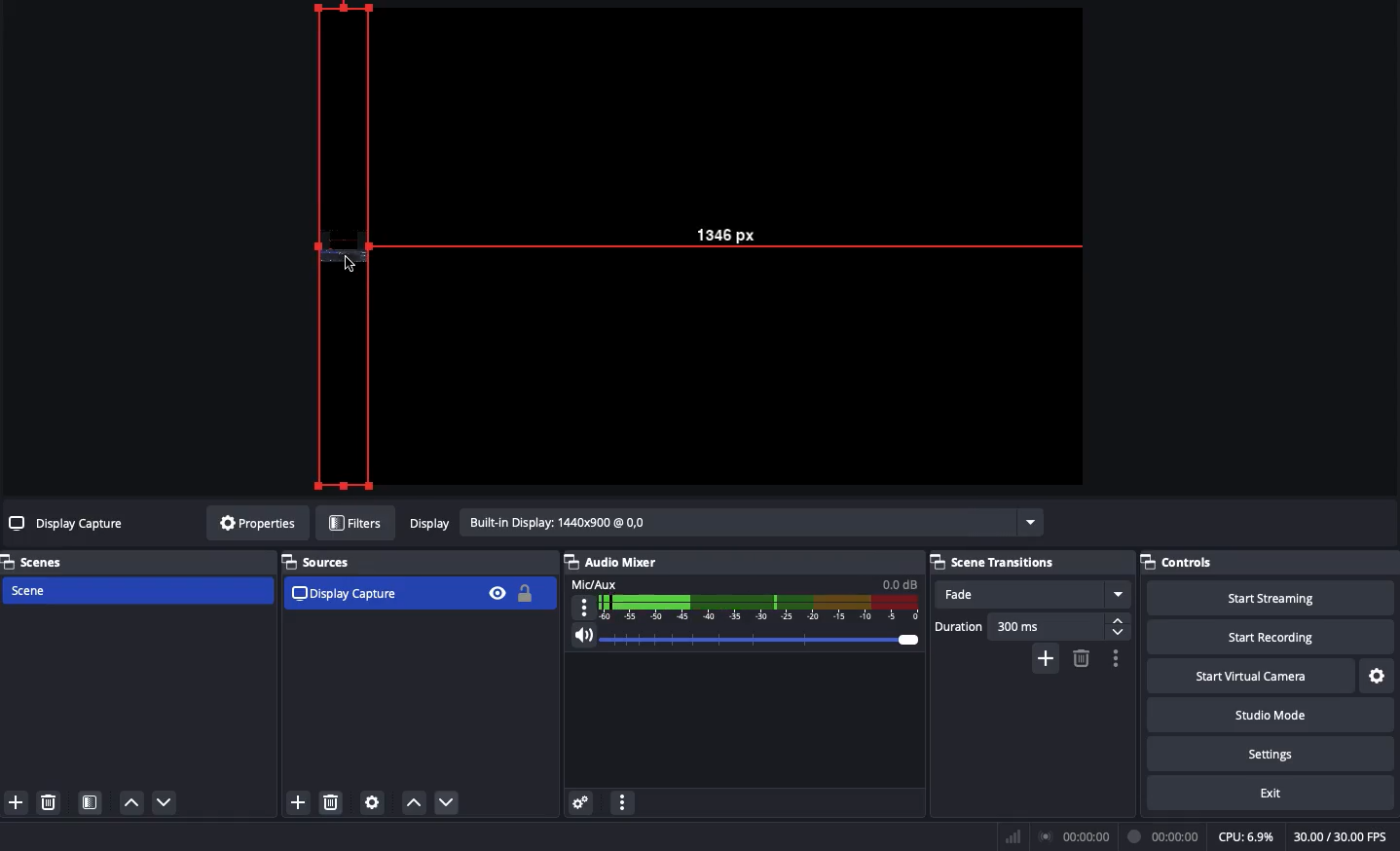 The width and height of the screenshot is (1400, 851). What do you see at coordinates (1253, 674) in the screenshot?
I see `Start virtual camera` at bounding box center [1253, 674].